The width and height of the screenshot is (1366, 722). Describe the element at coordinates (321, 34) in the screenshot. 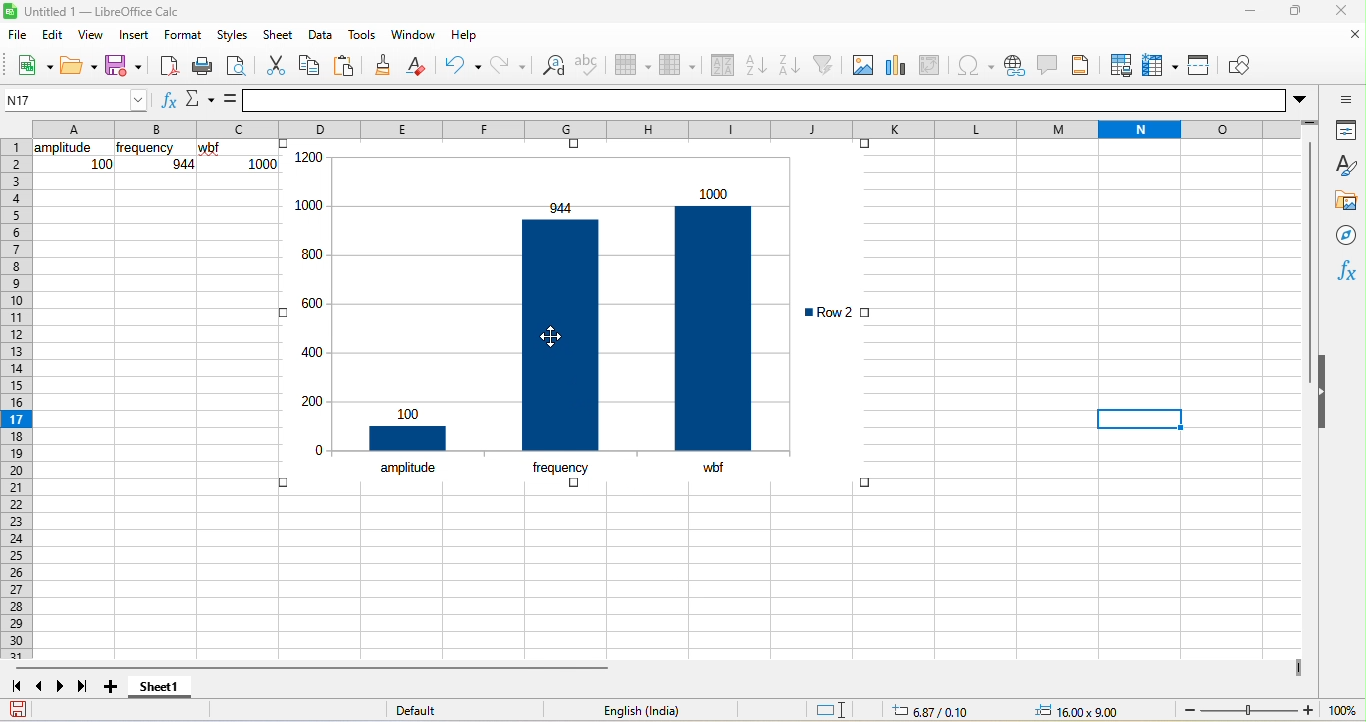

I see `data` at that location.